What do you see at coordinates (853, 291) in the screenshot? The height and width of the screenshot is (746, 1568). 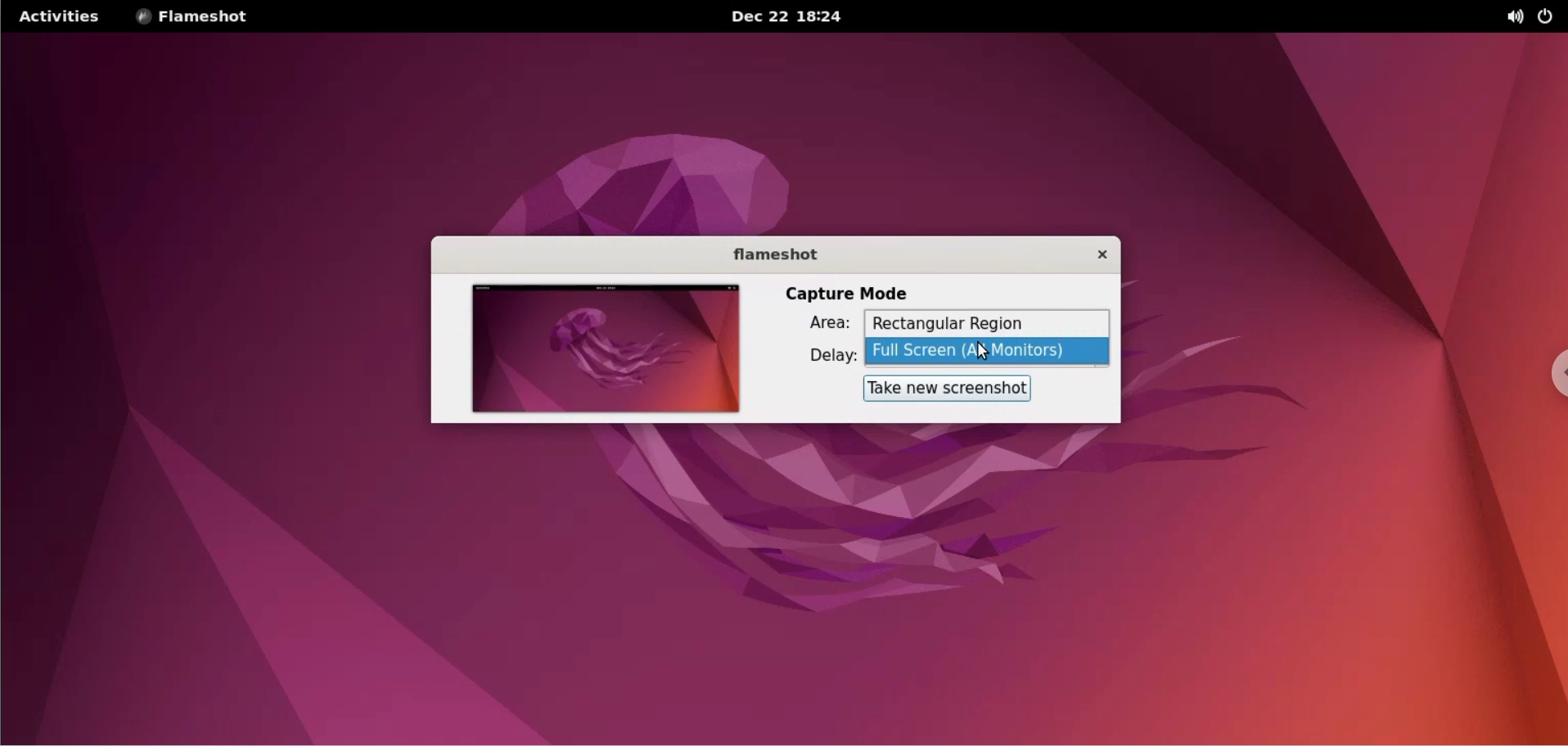 I see `capture mode` at bounding box center [853, 291].